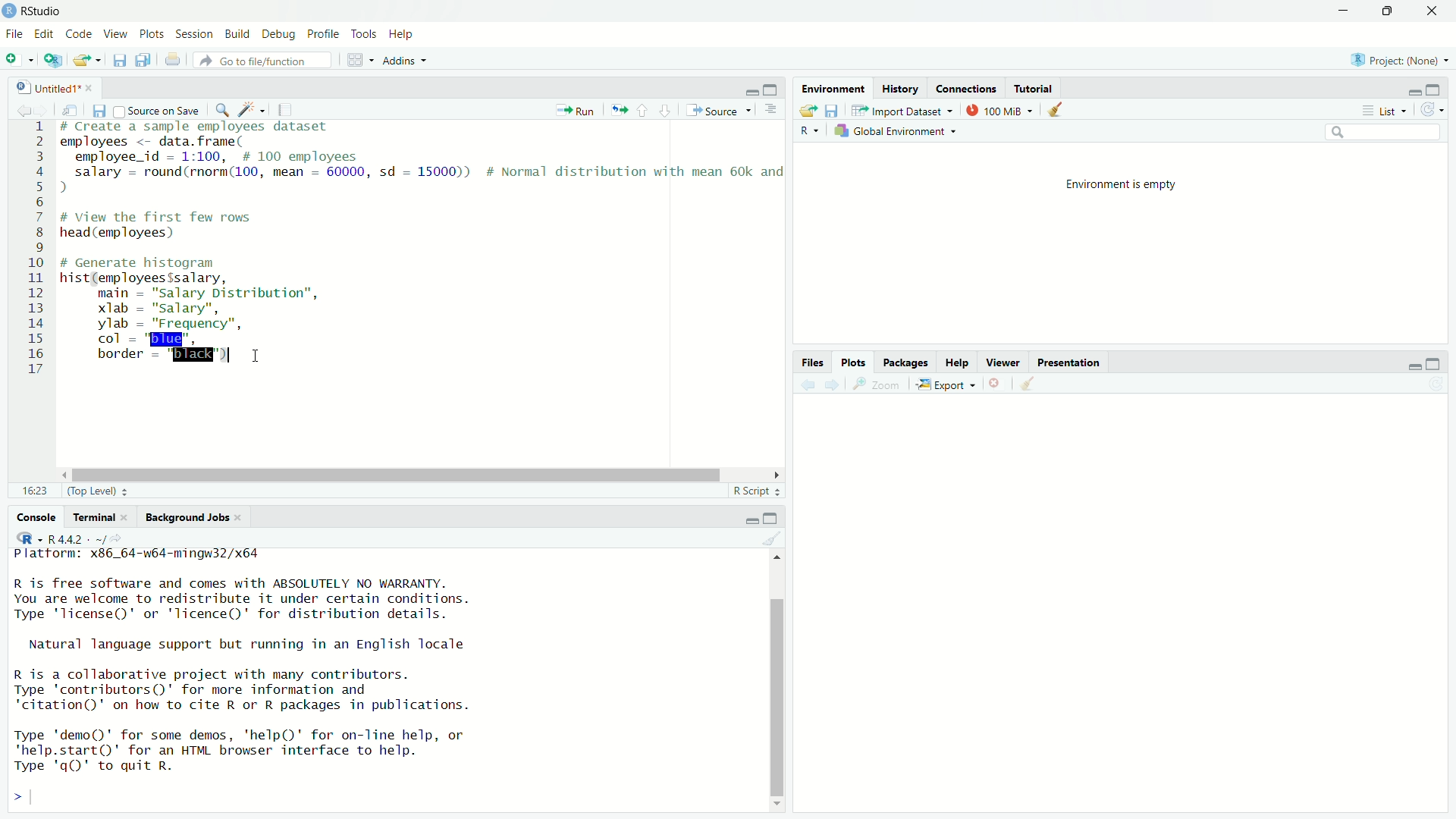 This screenshot has width=1456, height=819. What do you see at coordinates (158, 227) in the screenshot?
I see `# View the first few rows head (employees)` at bounding box center [158, 227].